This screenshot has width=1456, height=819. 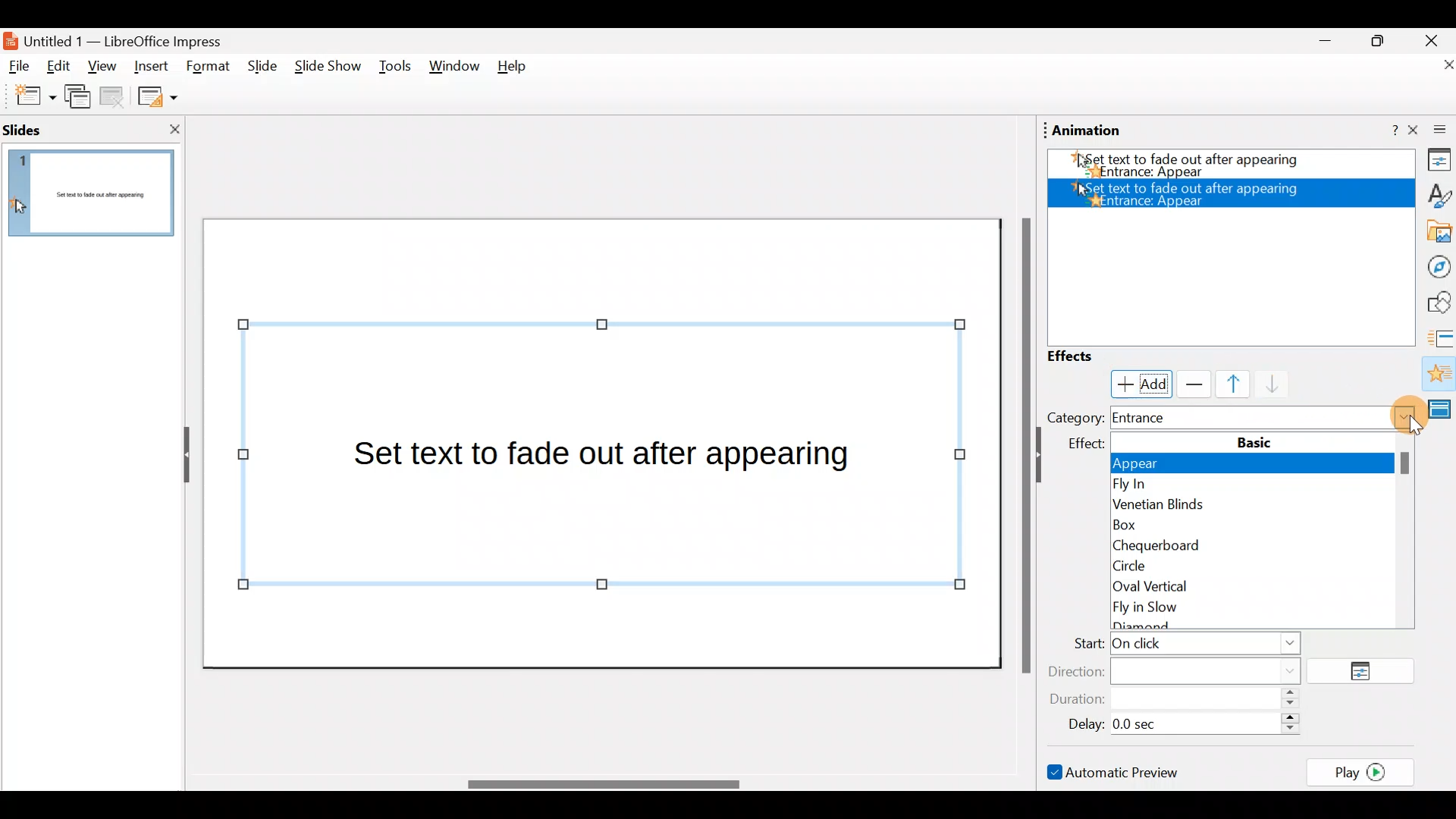 I want to click on Scroll bar, so click(x=1023, y=444).